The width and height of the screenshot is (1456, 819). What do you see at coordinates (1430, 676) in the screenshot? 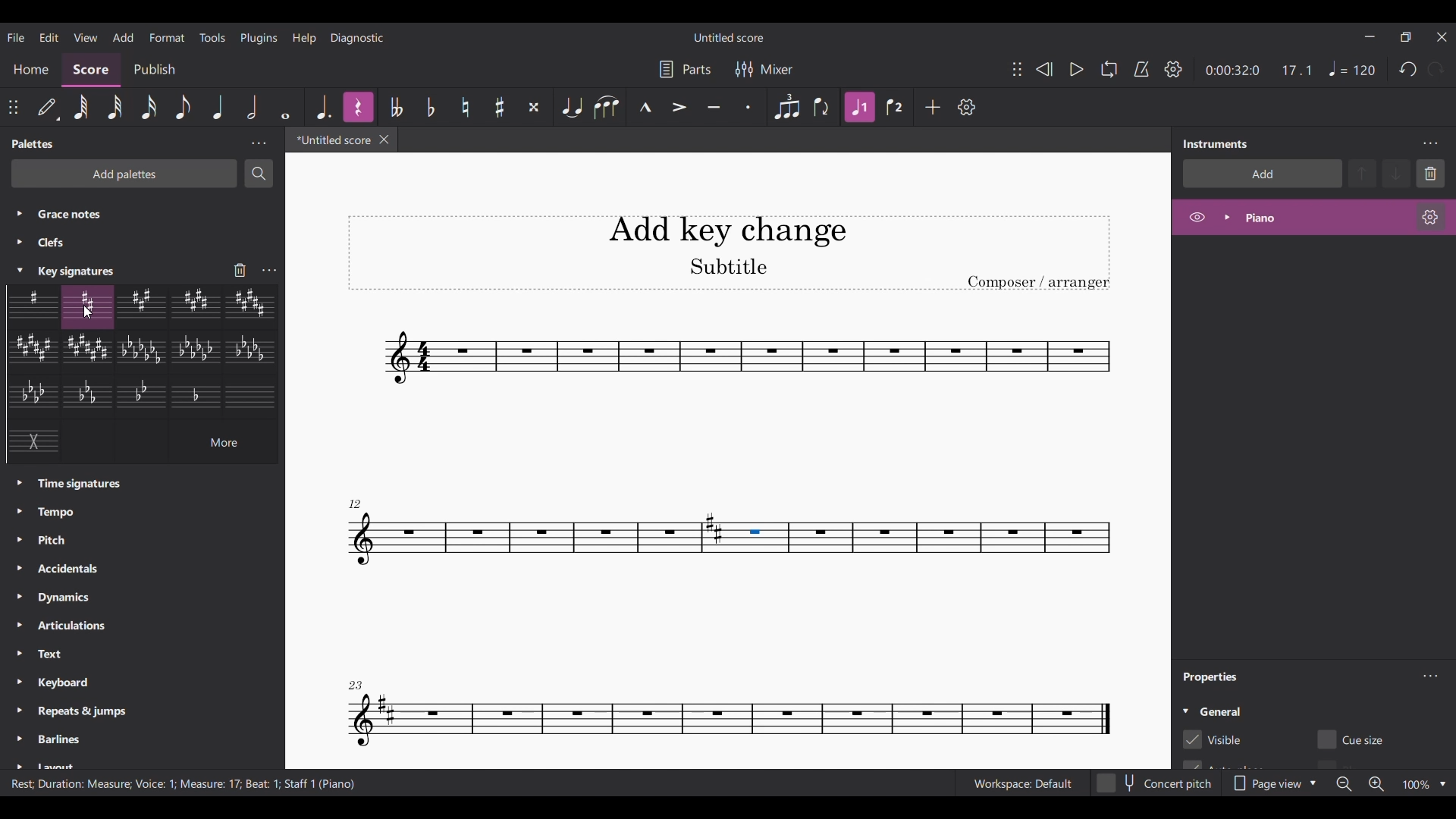
I see `Properties settings` at bounding box center [1430, 676].